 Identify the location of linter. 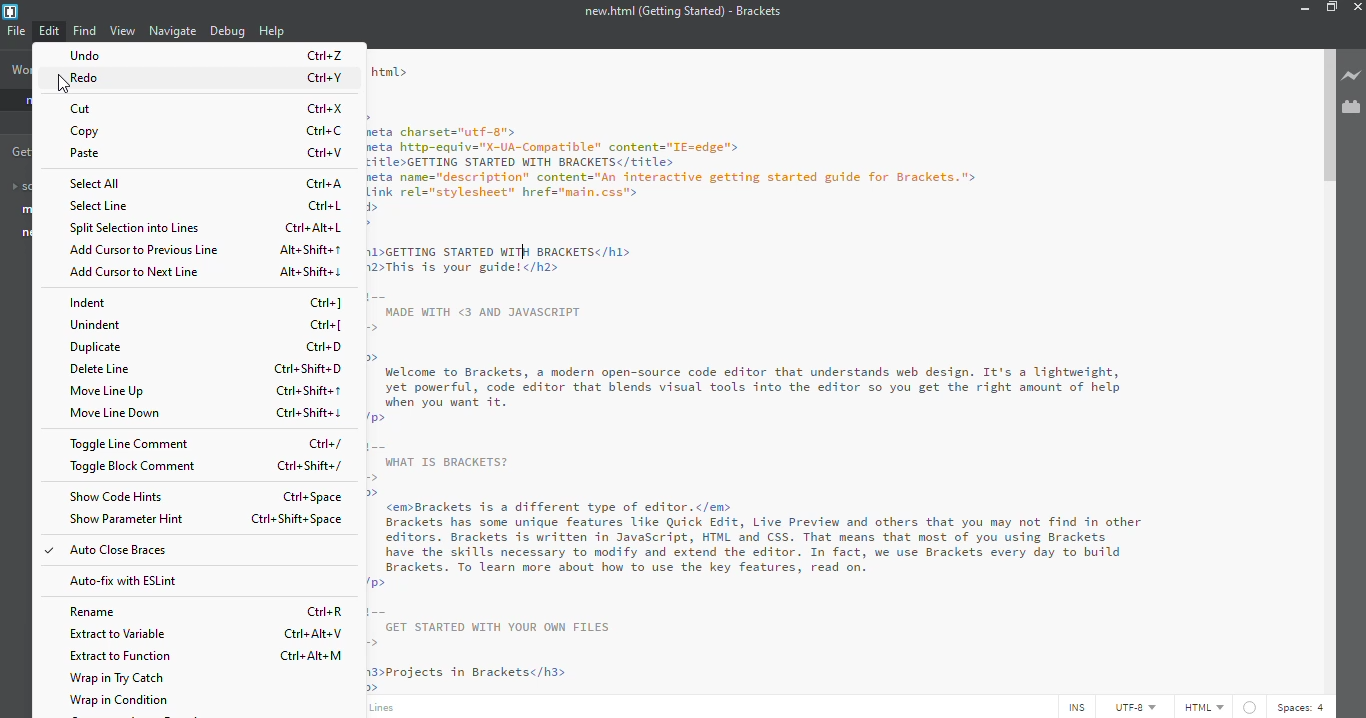
(1249, 707).